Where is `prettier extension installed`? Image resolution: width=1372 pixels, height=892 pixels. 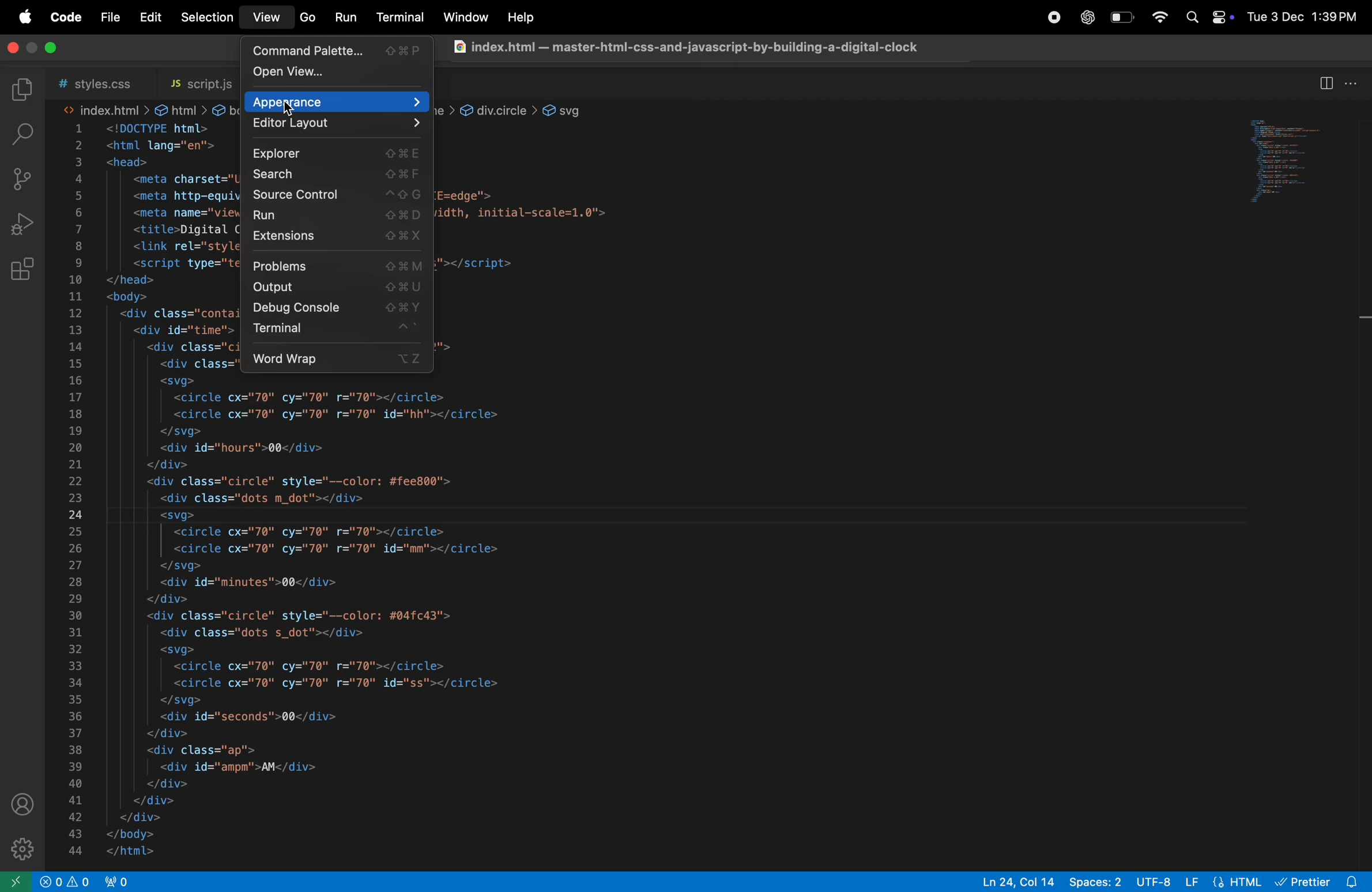 prettier extension installed is located at coordinates (1321, 881).